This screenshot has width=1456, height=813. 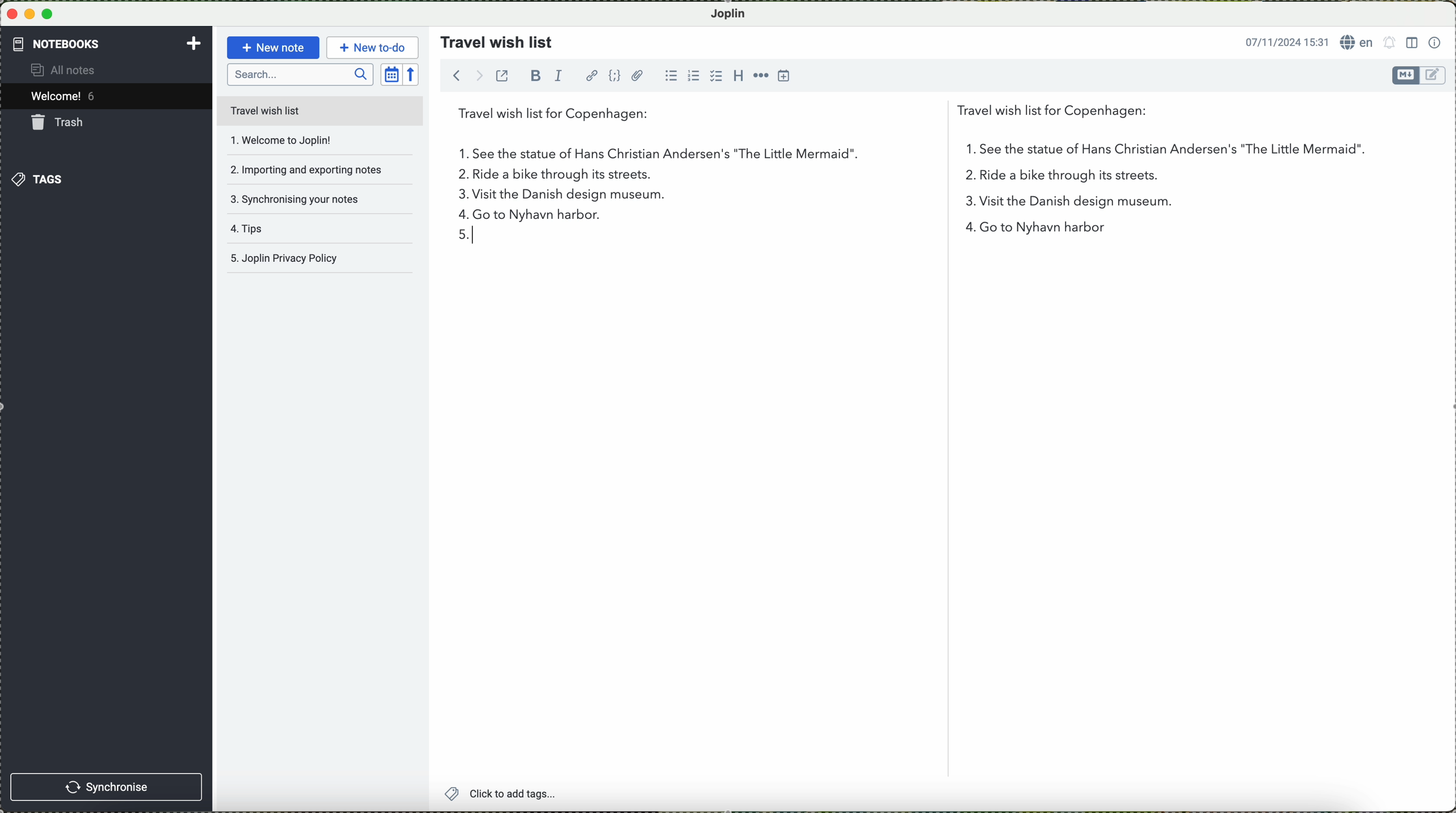 What do you see at coordinates (11, 15) in the screenshot?
I see `close` at bounding box center [11, 15].